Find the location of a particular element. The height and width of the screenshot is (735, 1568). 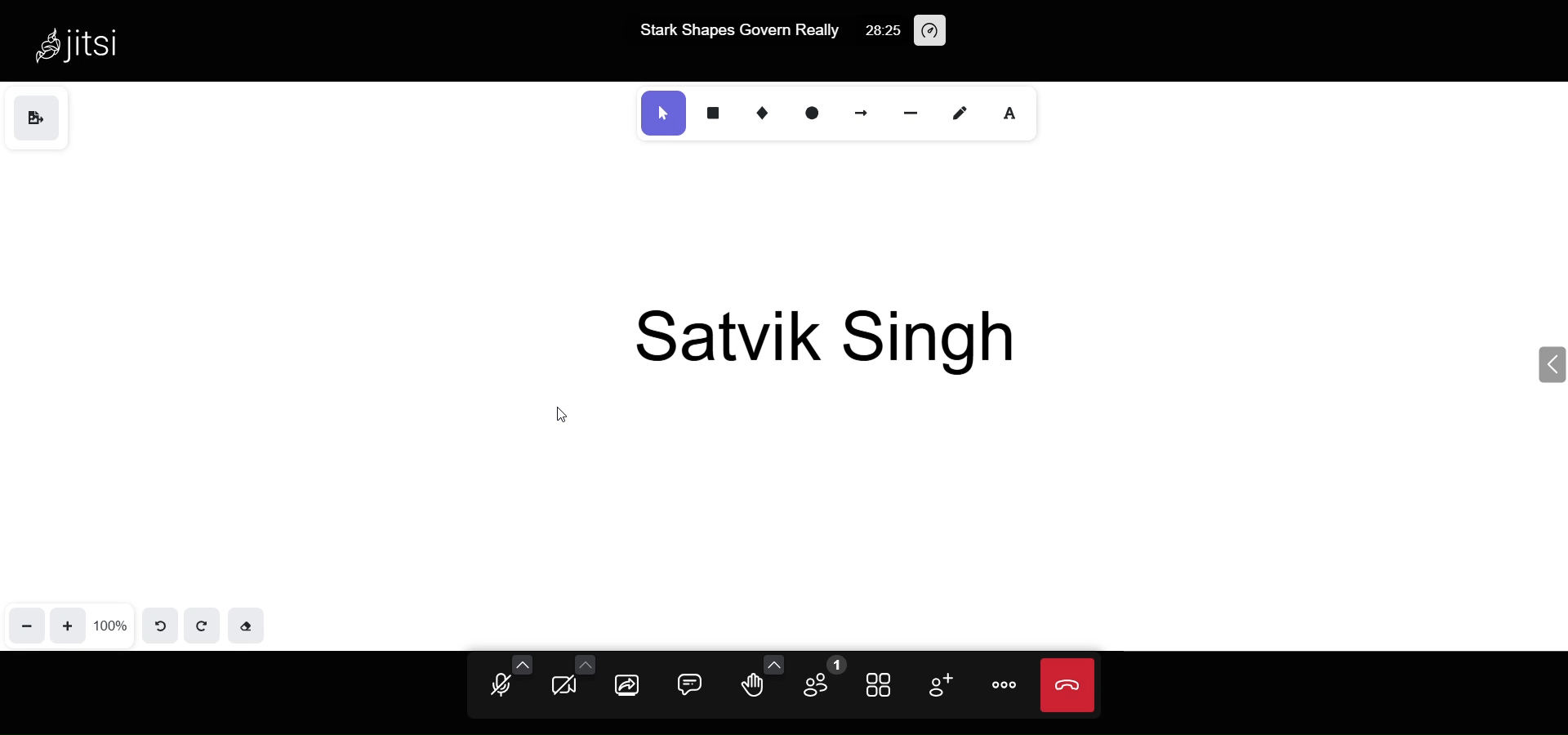

zoom in is located at coordinates (69, 624).